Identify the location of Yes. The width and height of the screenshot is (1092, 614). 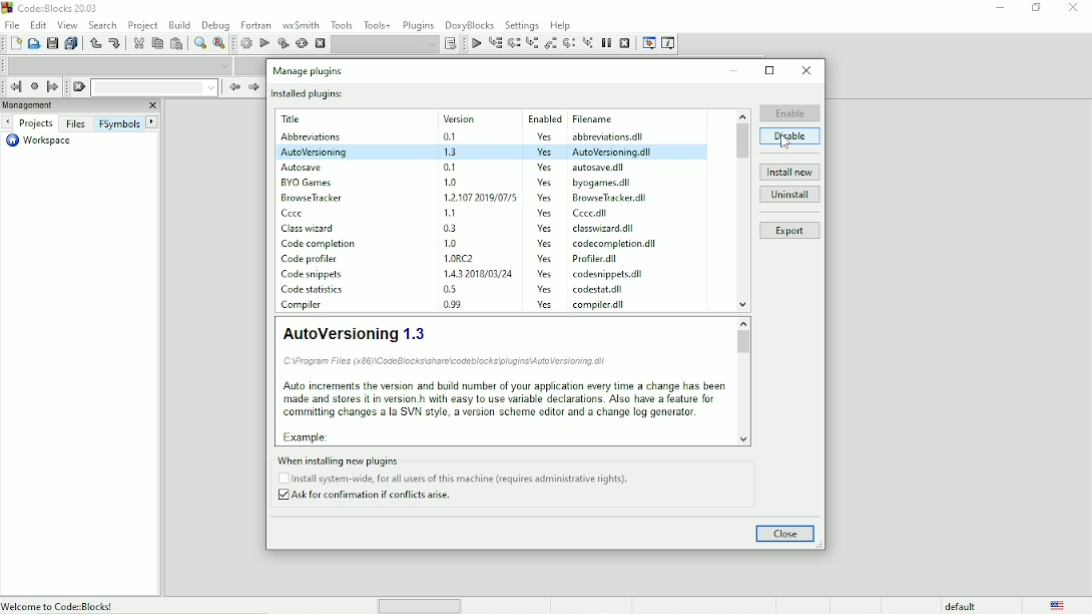
(540, 182).